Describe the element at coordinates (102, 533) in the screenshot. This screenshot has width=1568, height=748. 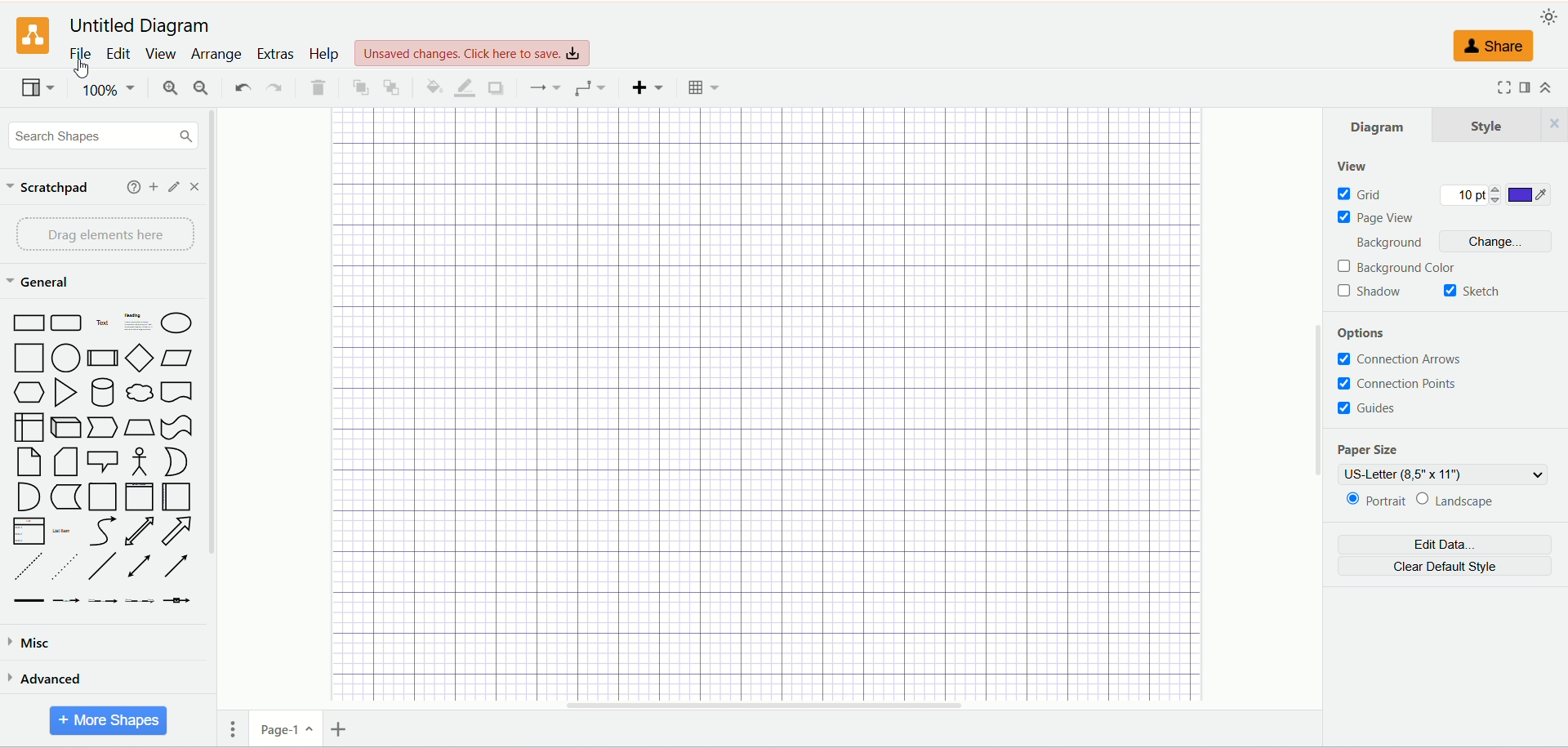
I see `Curves` at that location.